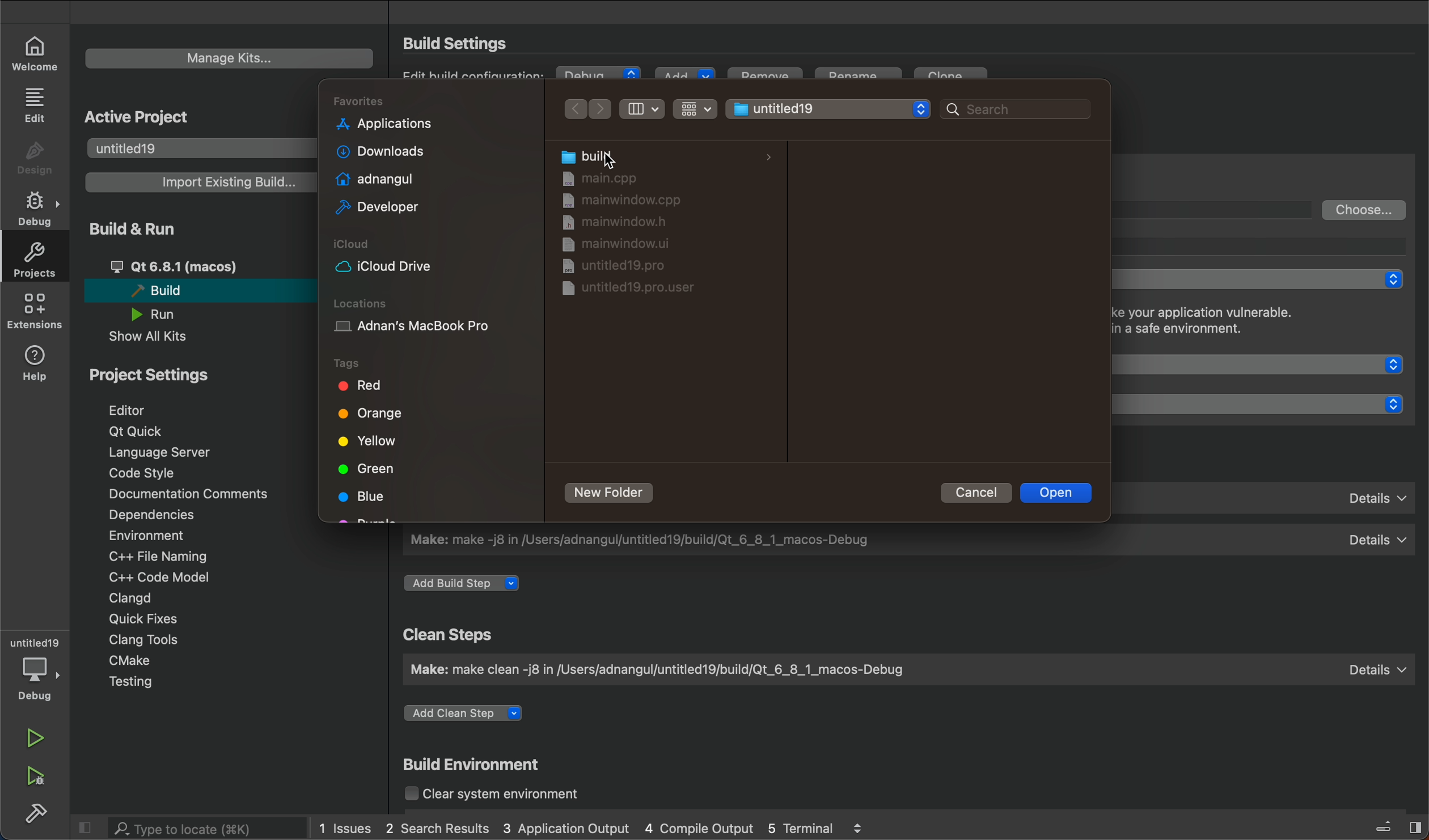  I want to click on import existing build, so click(197, 182).